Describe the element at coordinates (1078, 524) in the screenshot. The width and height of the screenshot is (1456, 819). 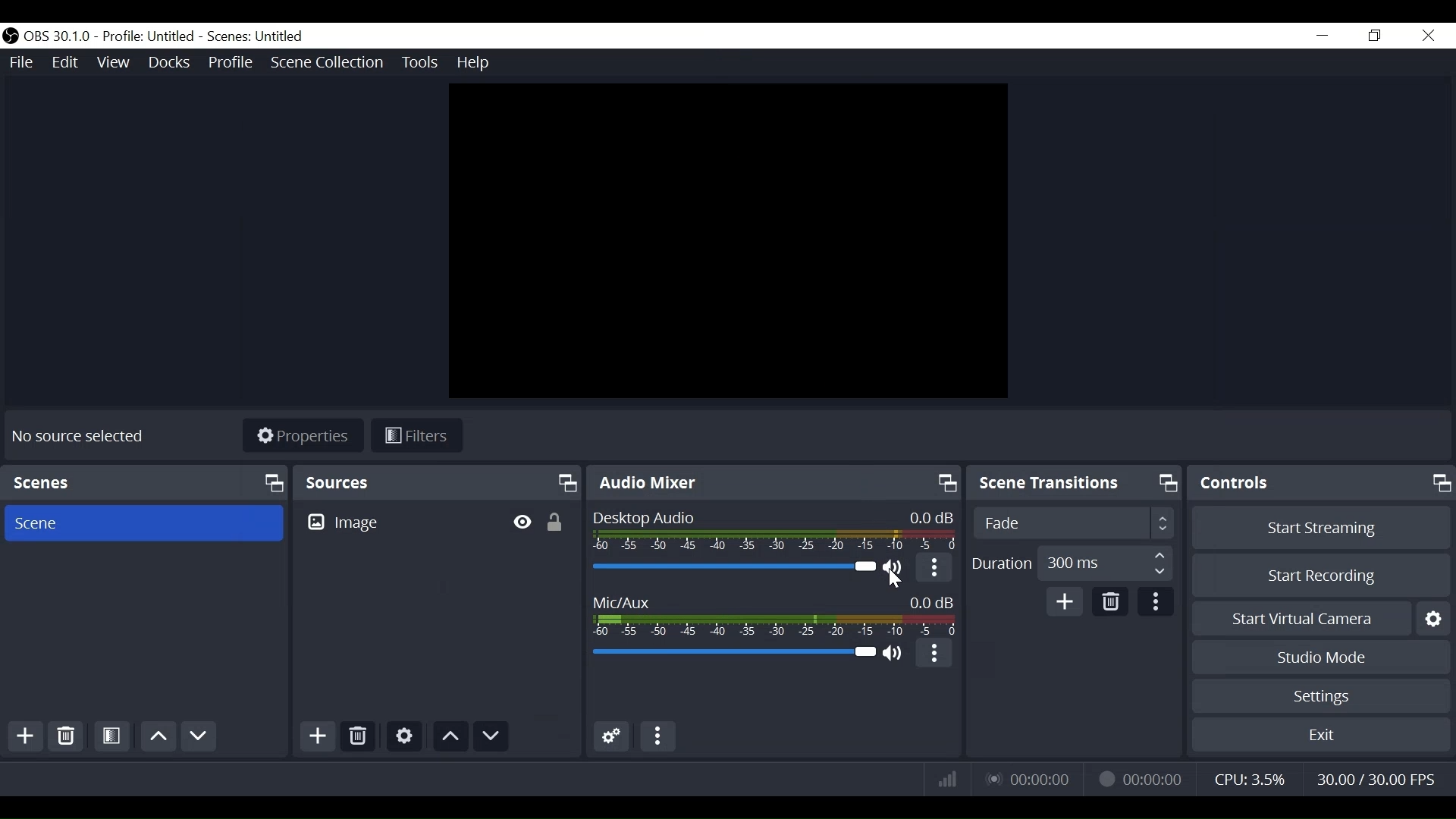
I see `Select Scene Transitions` at that location.